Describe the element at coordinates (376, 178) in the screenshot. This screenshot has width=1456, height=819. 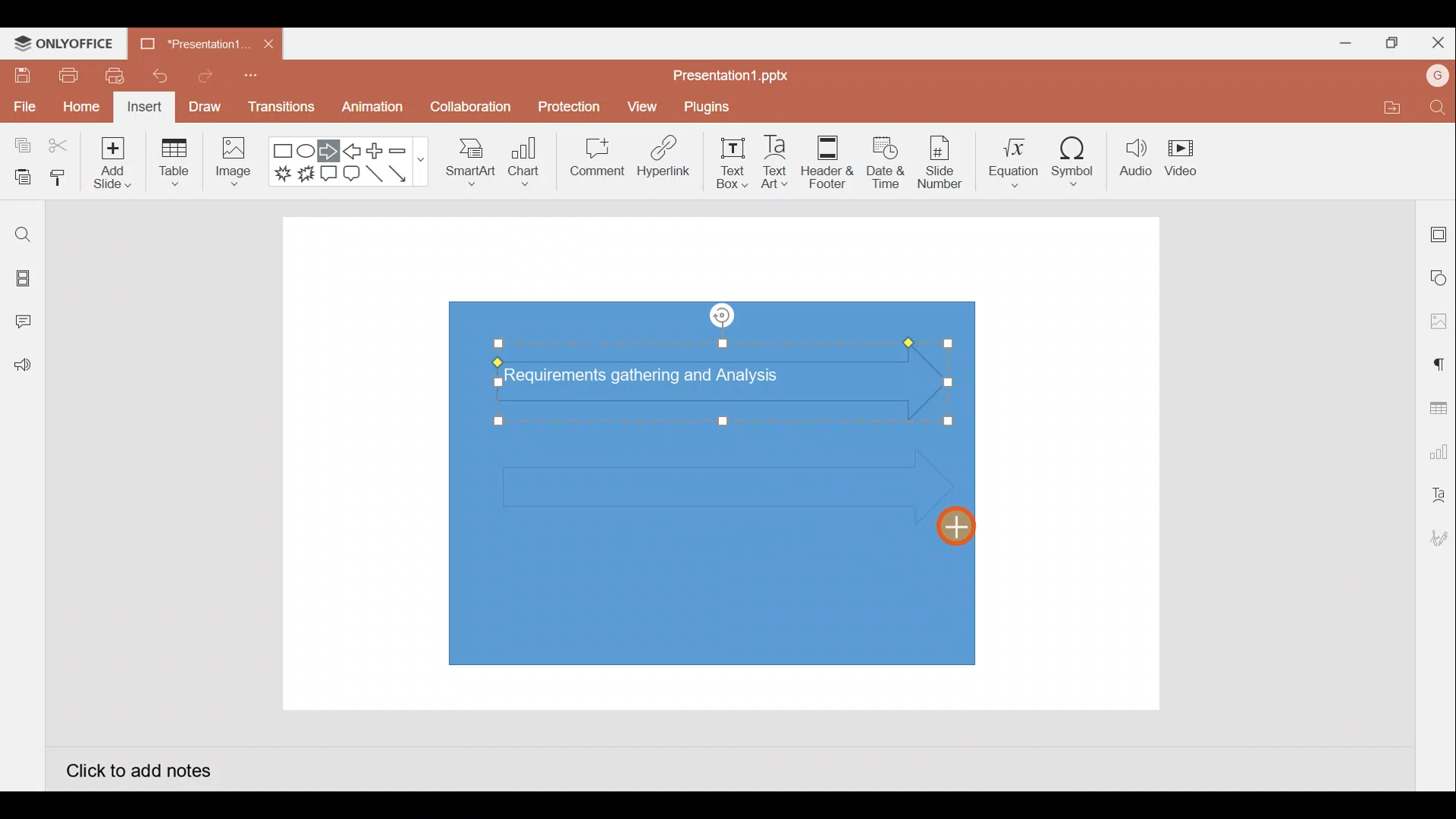
I see `Line` at that location.